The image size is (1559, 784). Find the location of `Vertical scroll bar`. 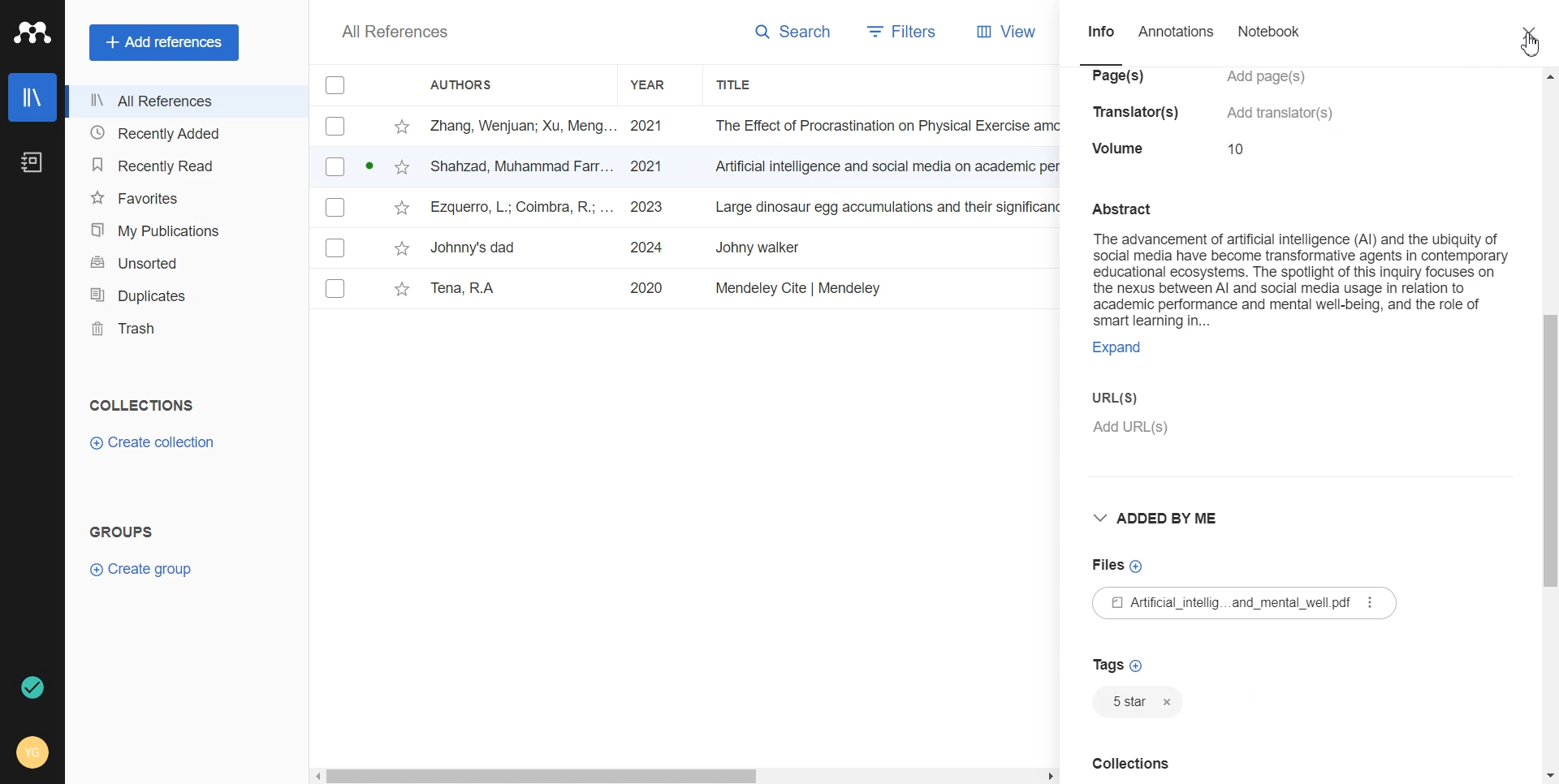

Vertical scroll bar is located at coordinates (1549, 424).